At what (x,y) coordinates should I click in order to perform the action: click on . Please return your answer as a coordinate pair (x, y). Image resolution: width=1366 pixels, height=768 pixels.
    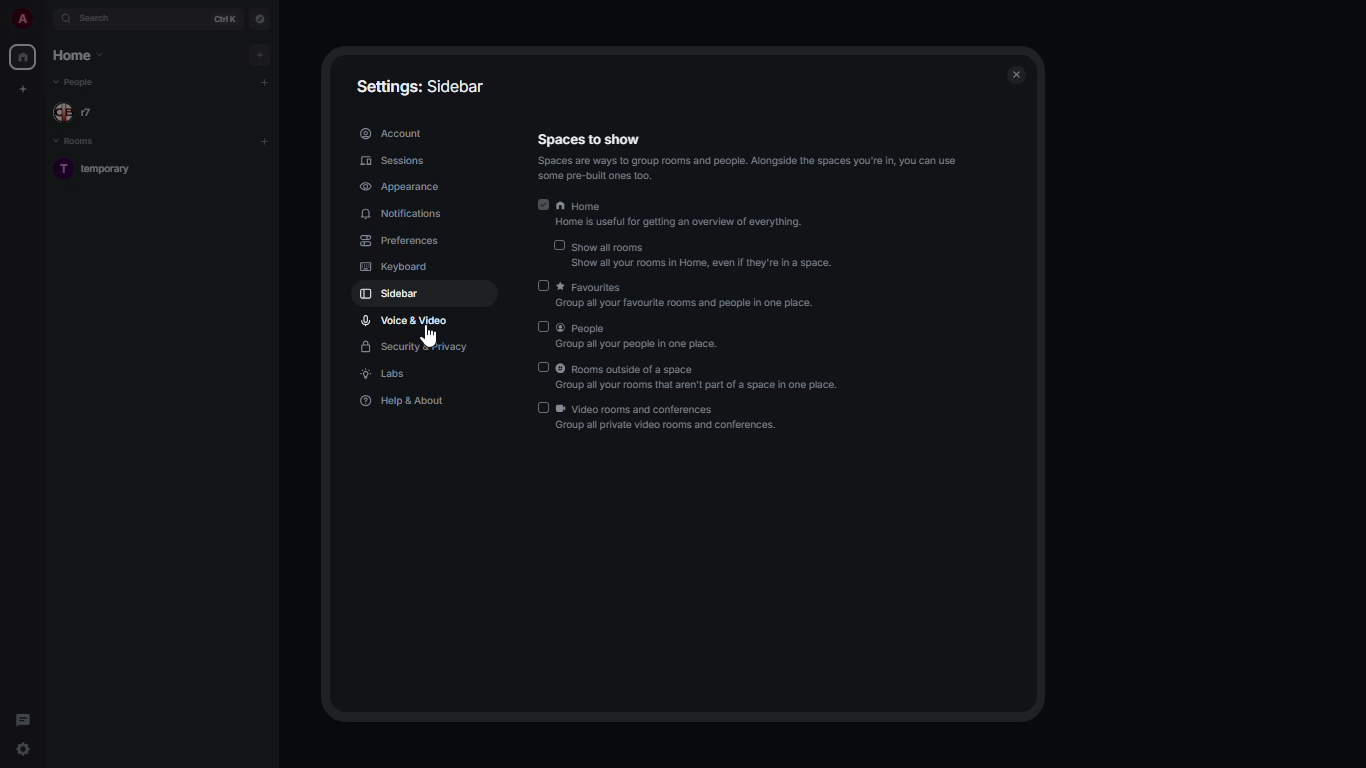
    Looking at the image, I should click on (556, 246).